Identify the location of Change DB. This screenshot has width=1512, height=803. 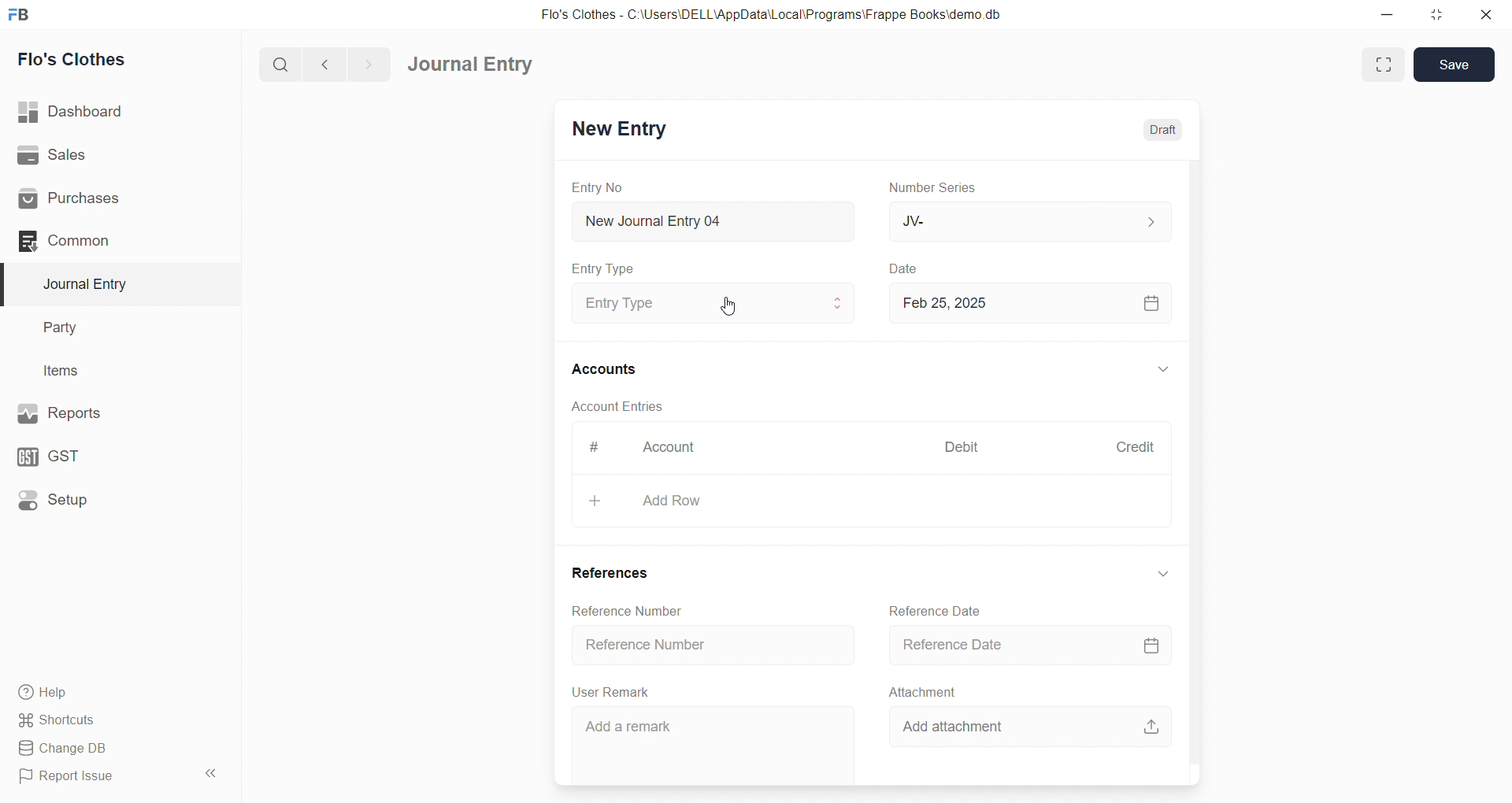
(113, 749).